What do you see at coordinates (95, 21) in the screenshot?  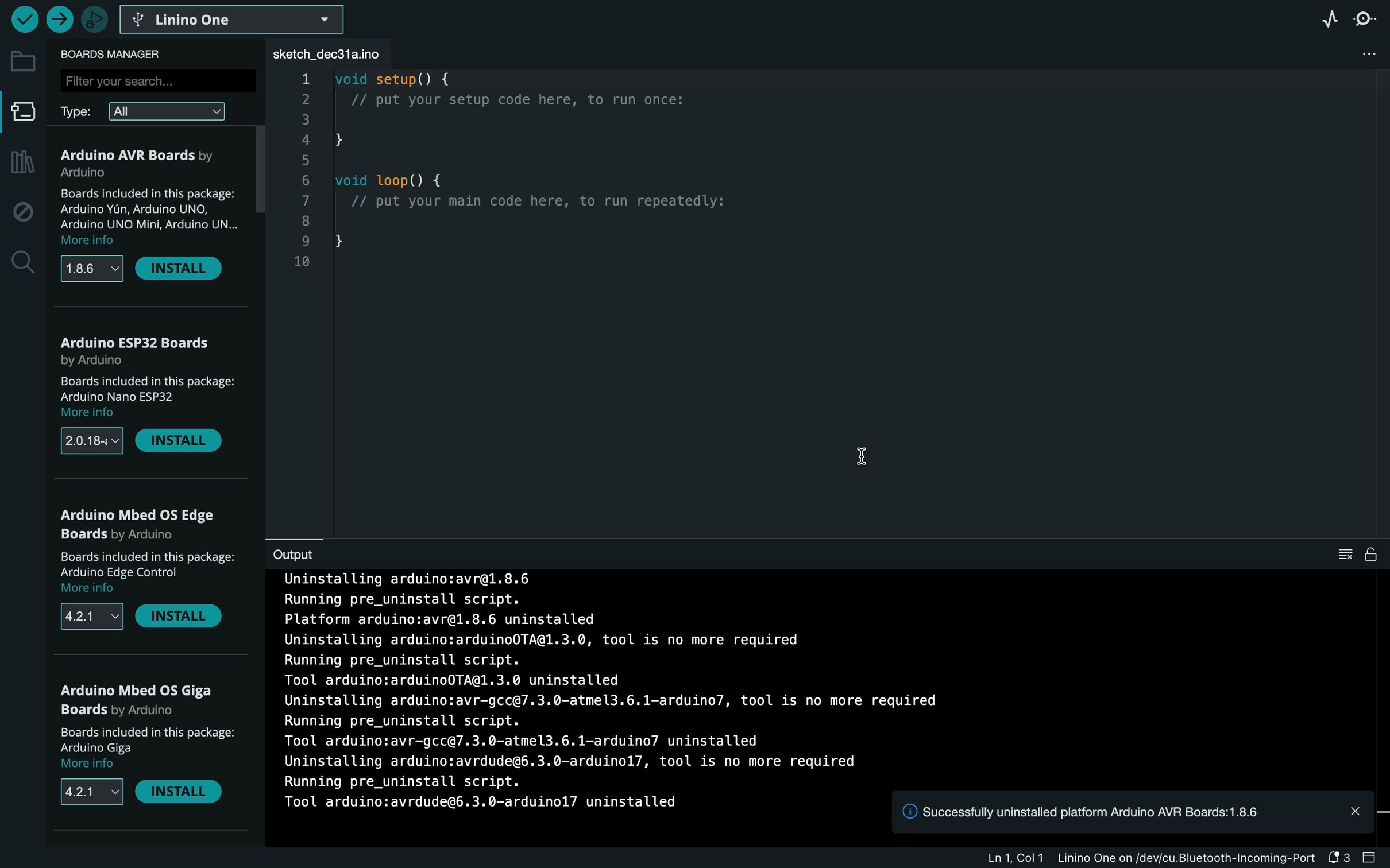 I see `debugger` at bounding box center [95, 21].